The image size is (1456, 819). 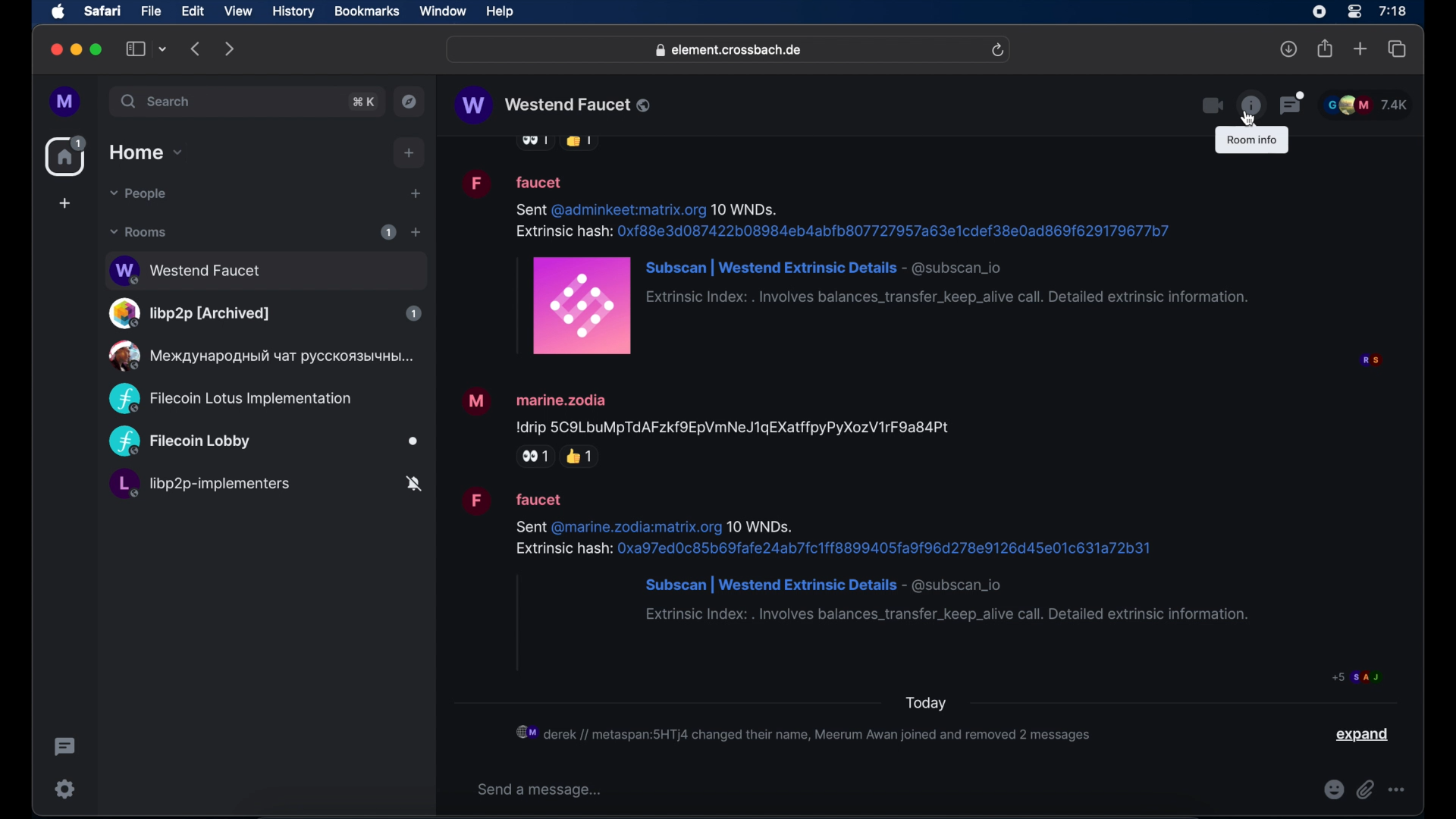 I want to click on obscured icon, so click(x=533, y=143).